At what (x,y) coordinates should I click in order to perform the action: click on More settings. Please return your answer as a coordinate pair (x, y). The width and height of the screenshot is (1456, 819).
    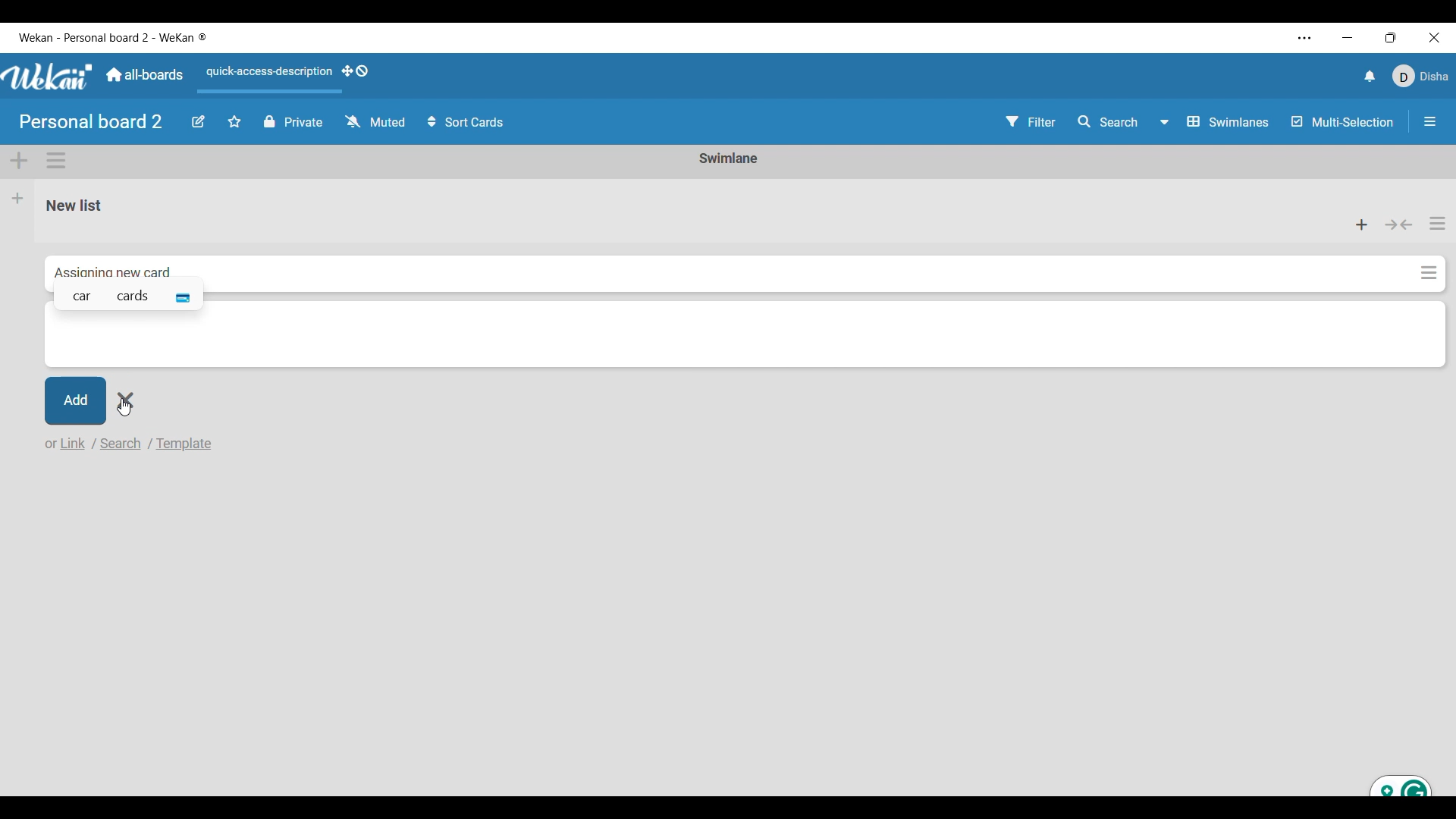
    Looking at the image, I should click on (1305, 38).